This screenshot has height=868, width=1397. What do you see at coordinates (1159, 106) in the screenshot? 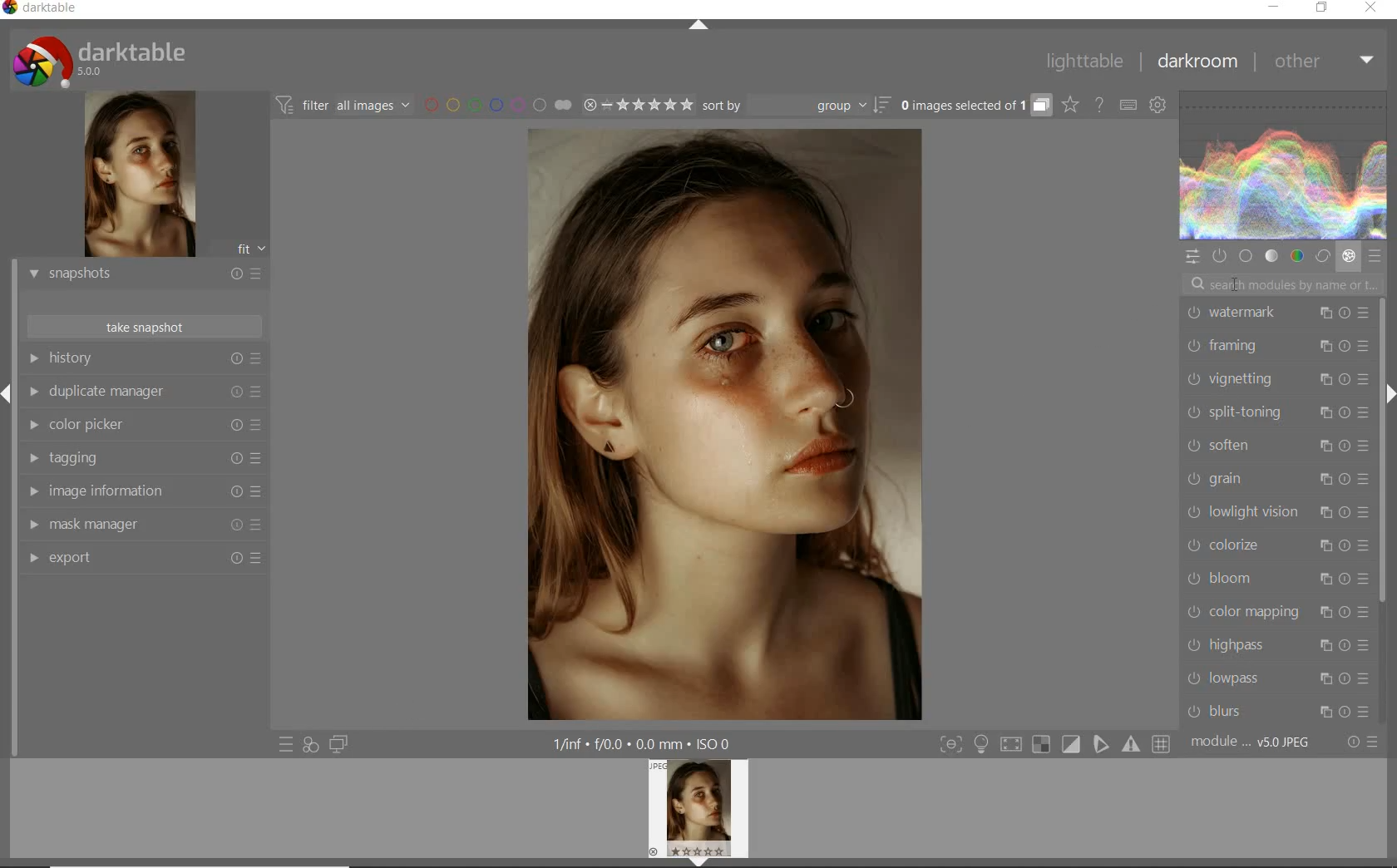
I see `show global preferences` at bounding box center [1159, 106].